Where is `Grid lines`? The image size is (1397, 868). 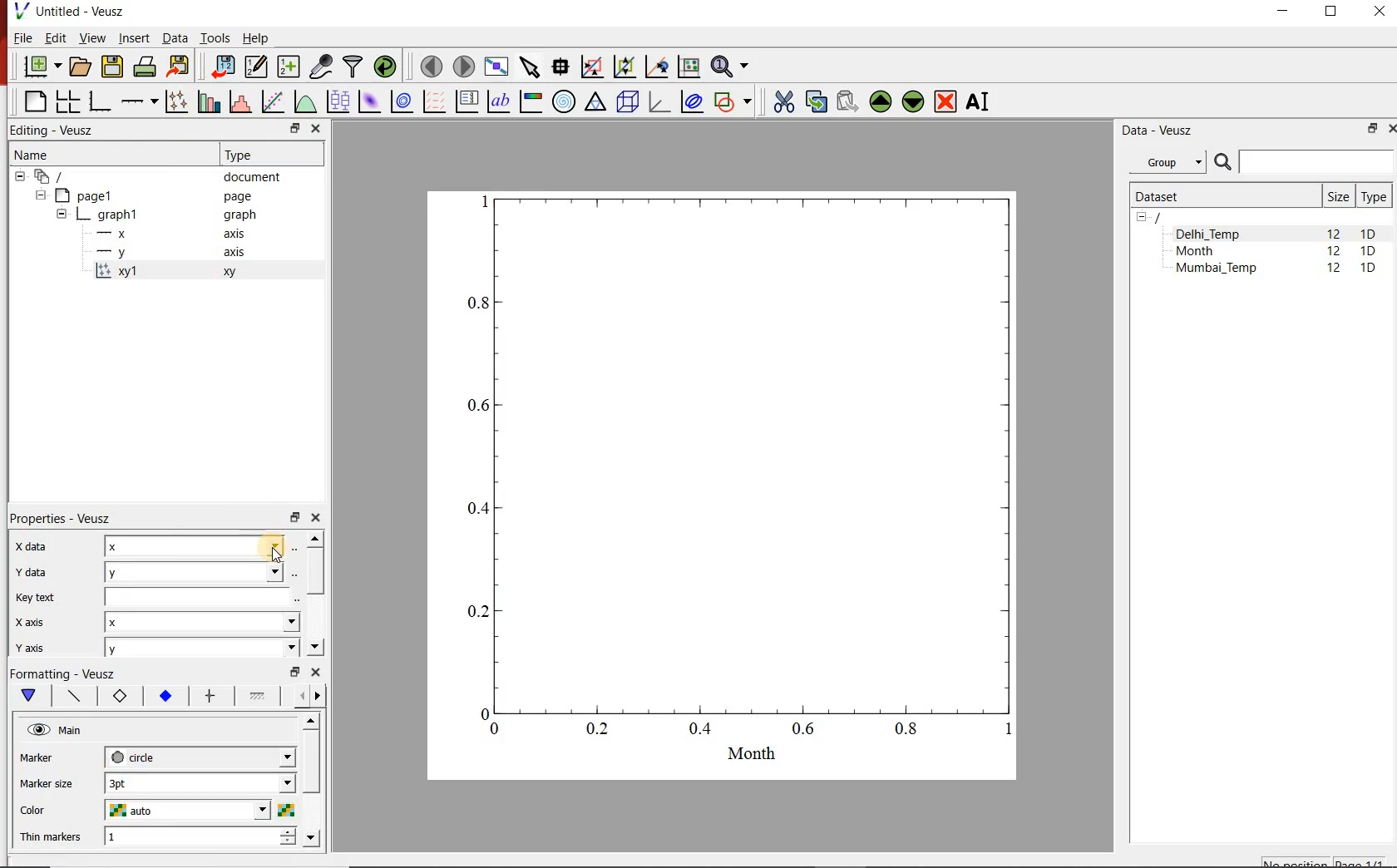
Grid lines is located at coordinates (310, 698).